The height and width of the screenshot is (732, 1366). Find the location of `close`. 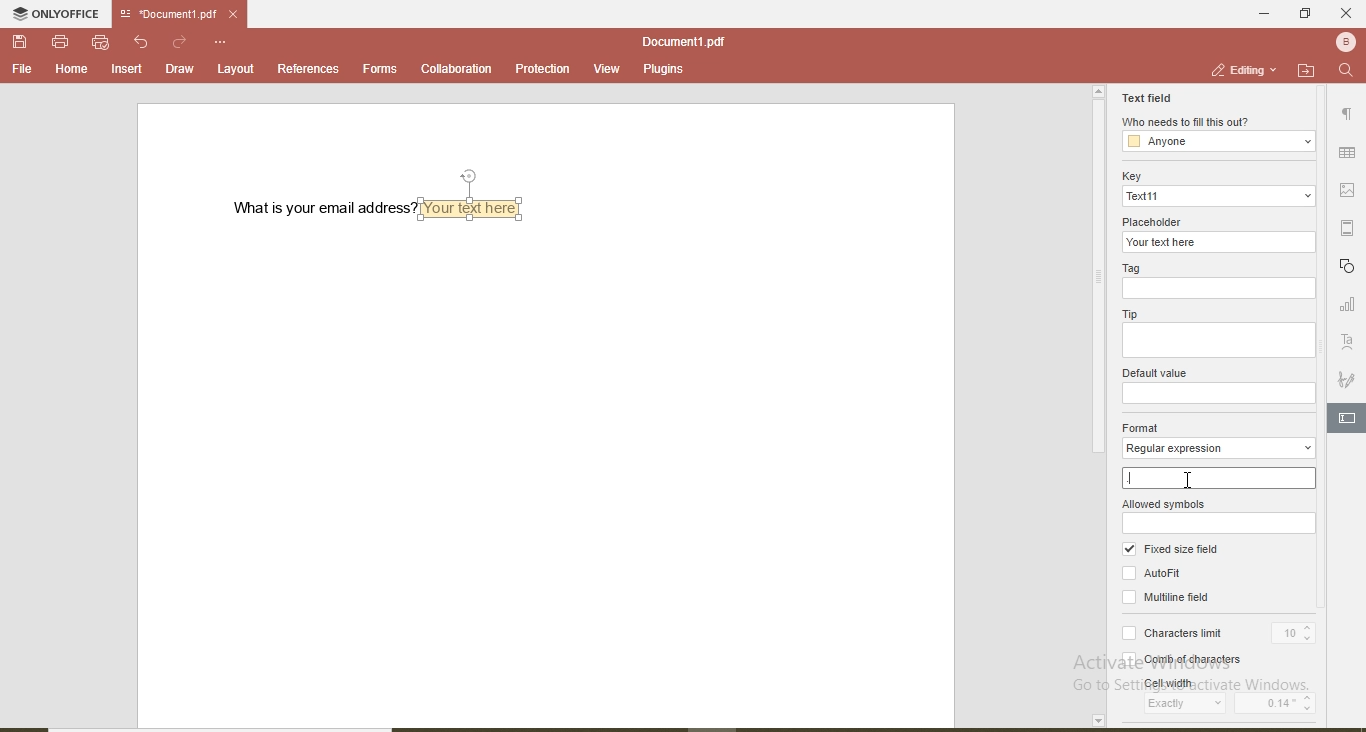

close is located at coordinates (1346, 13).